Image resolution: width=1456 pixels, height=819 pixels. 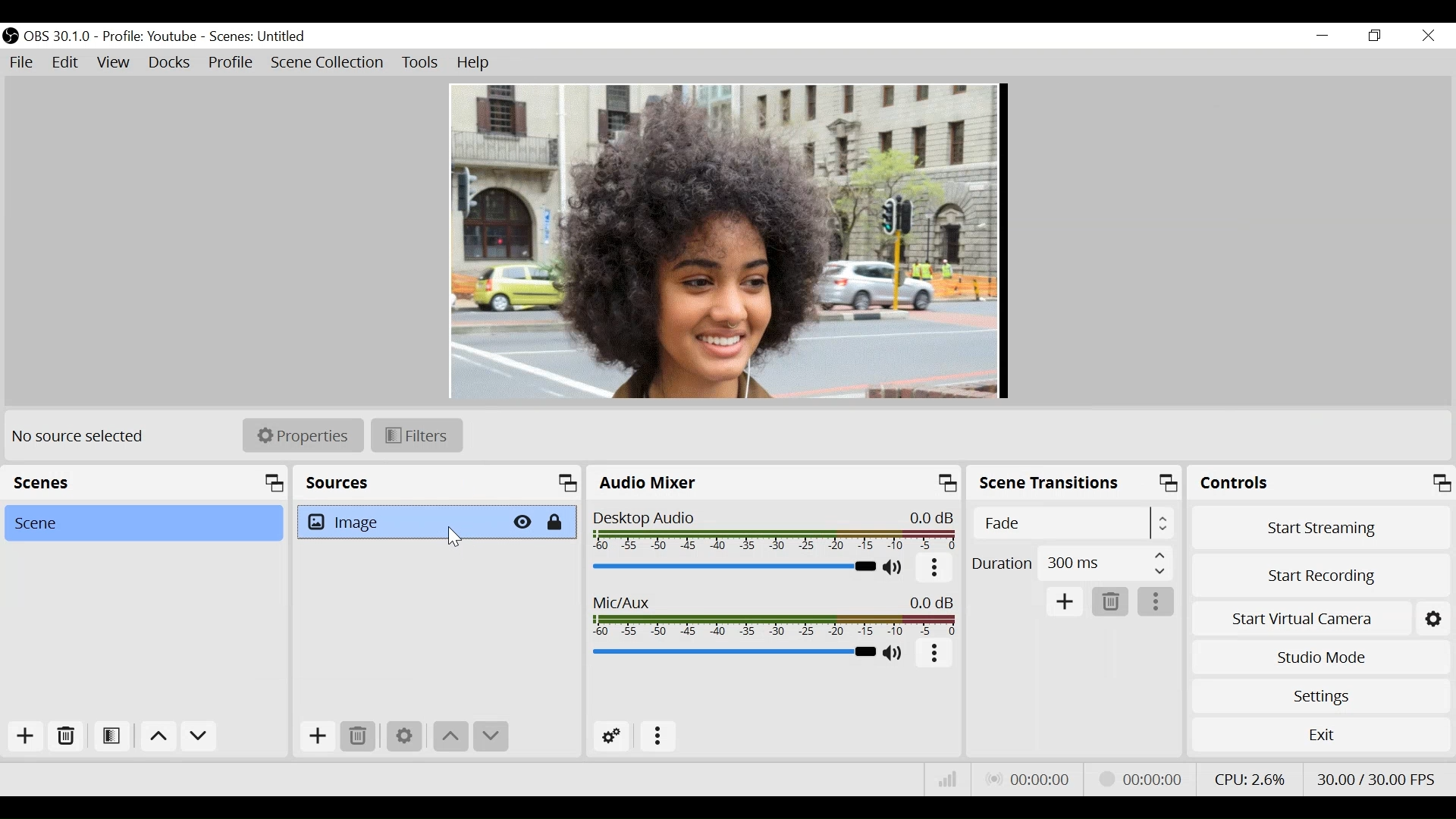 What do you see at coordinates (1320, 733) in the screenshot?
I see `Exit` at bounding box center [1320, 733].